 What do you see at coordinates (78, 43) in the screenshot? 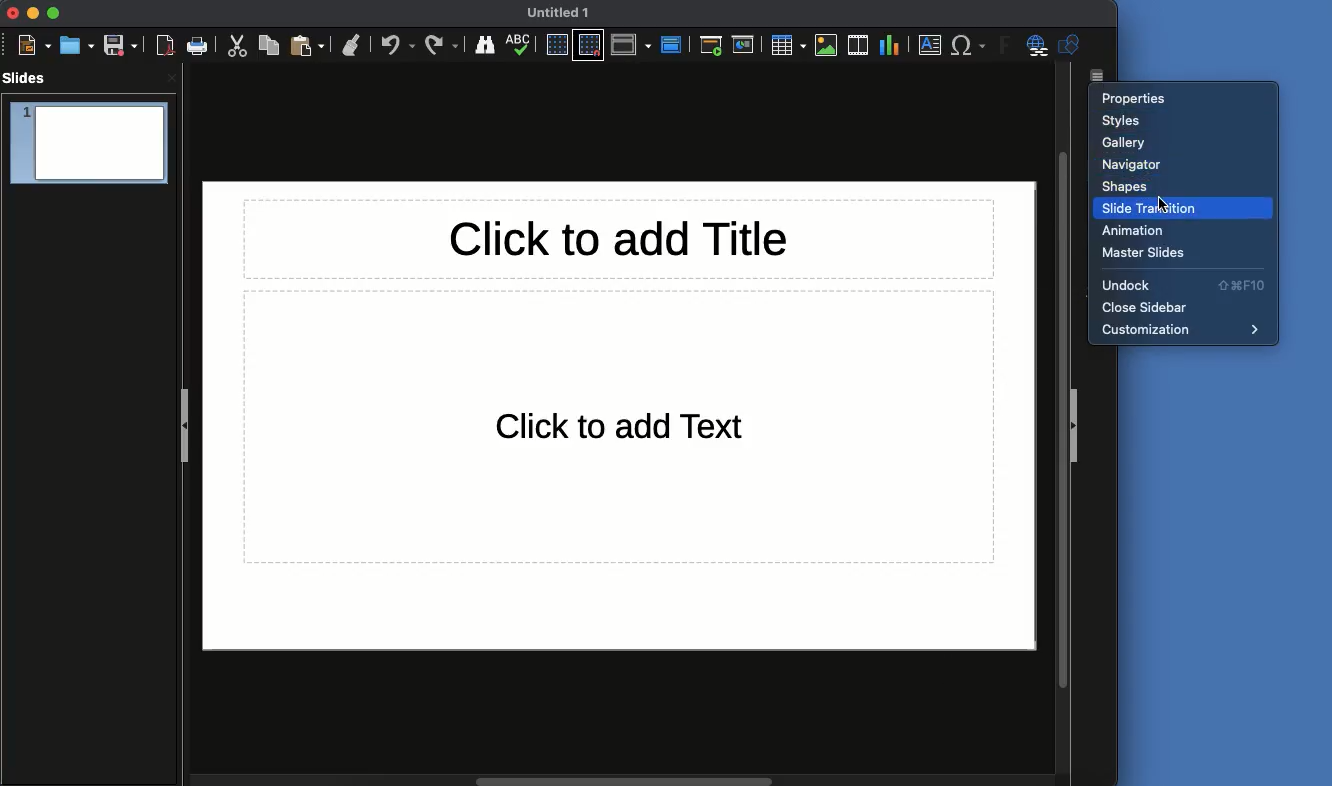
I see `Open` at bounding box center [78, 43].